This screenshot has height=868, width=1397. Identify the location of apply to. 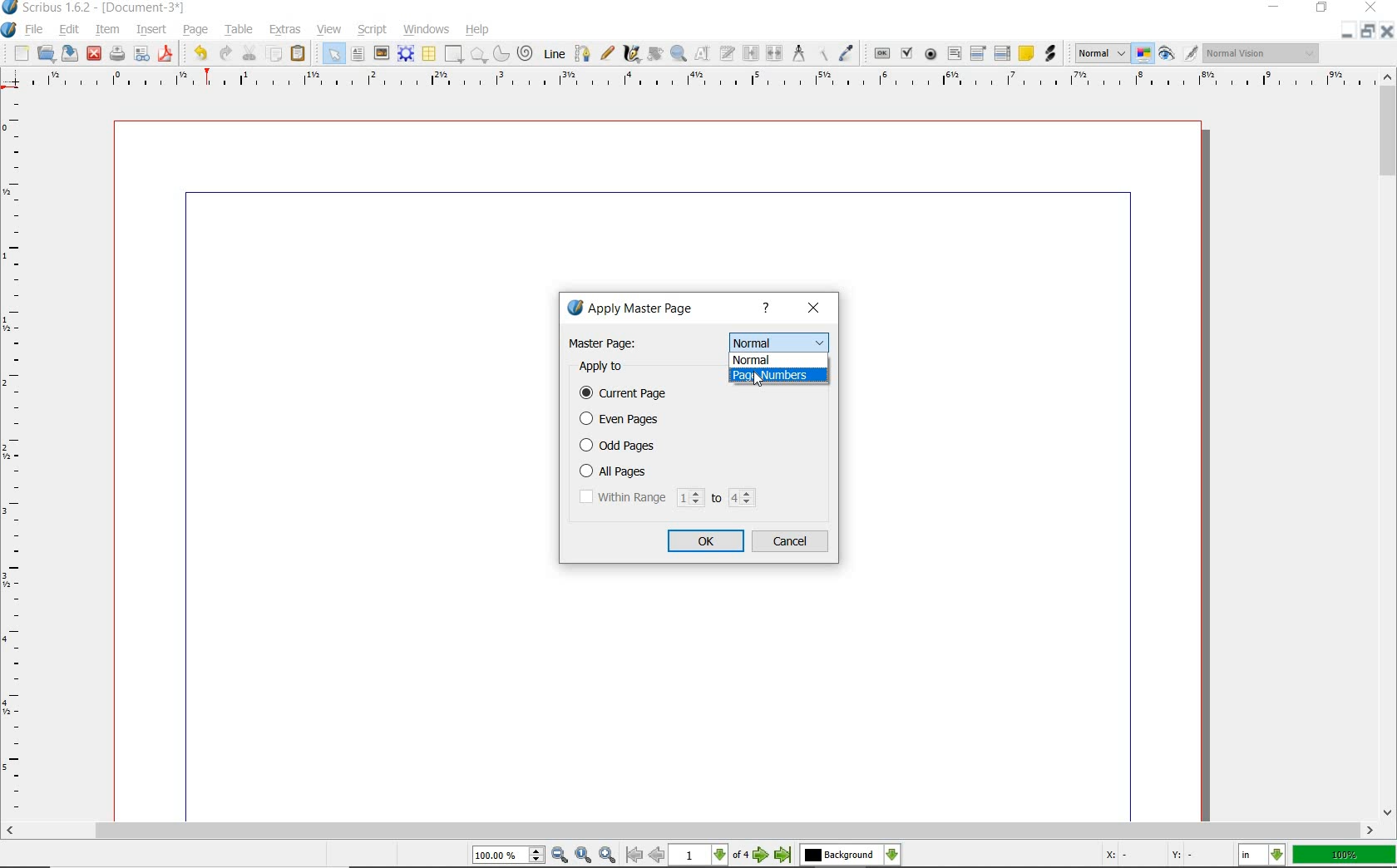
(608, 367).